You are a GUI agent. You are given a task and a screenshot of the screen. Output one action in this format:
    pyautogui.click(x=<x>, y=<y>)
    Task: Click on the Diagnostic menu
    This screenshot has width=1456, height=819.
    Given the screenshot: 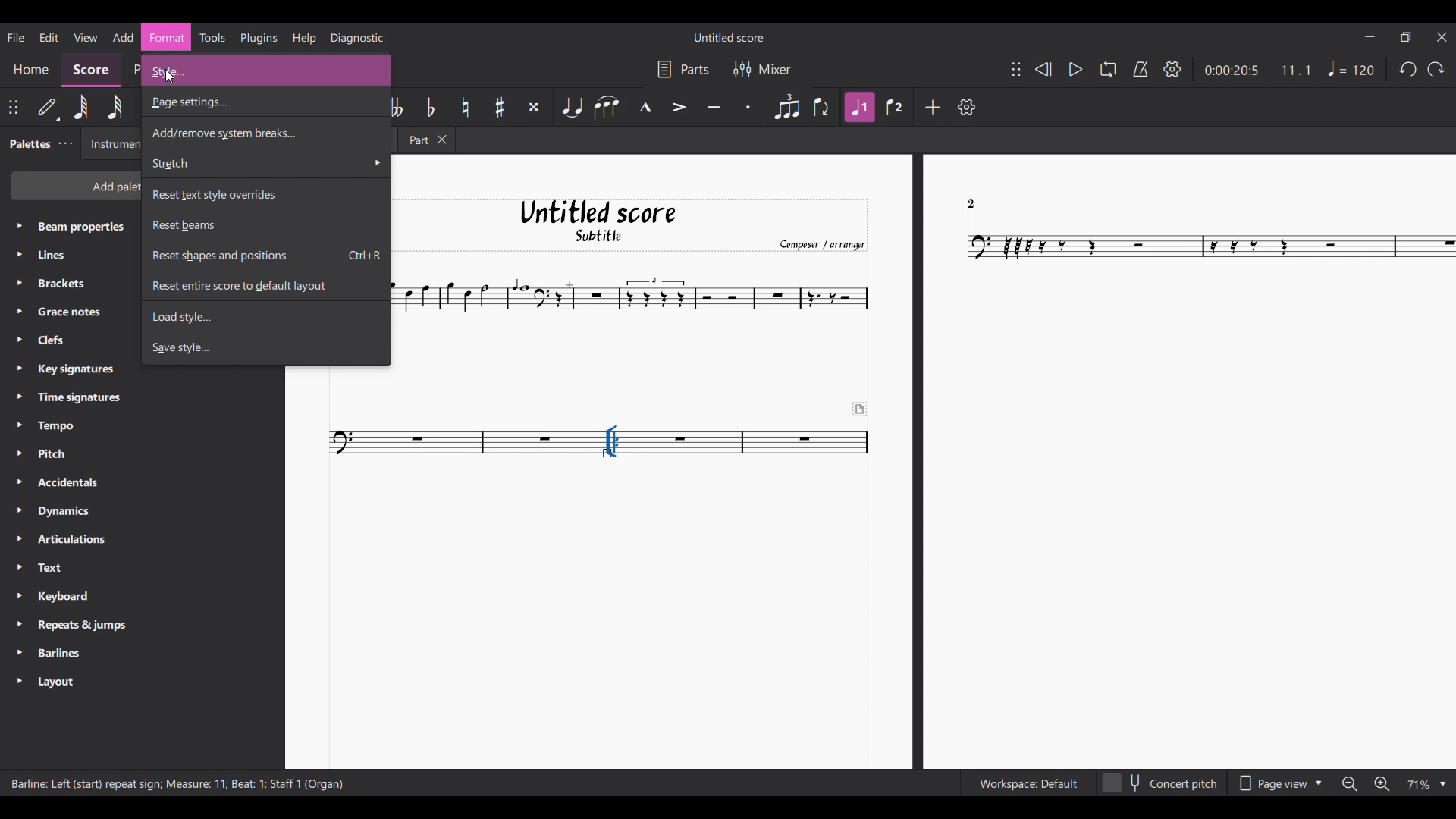 What is the action you would take?
    pyautogui.click(x=357, y=39)
    